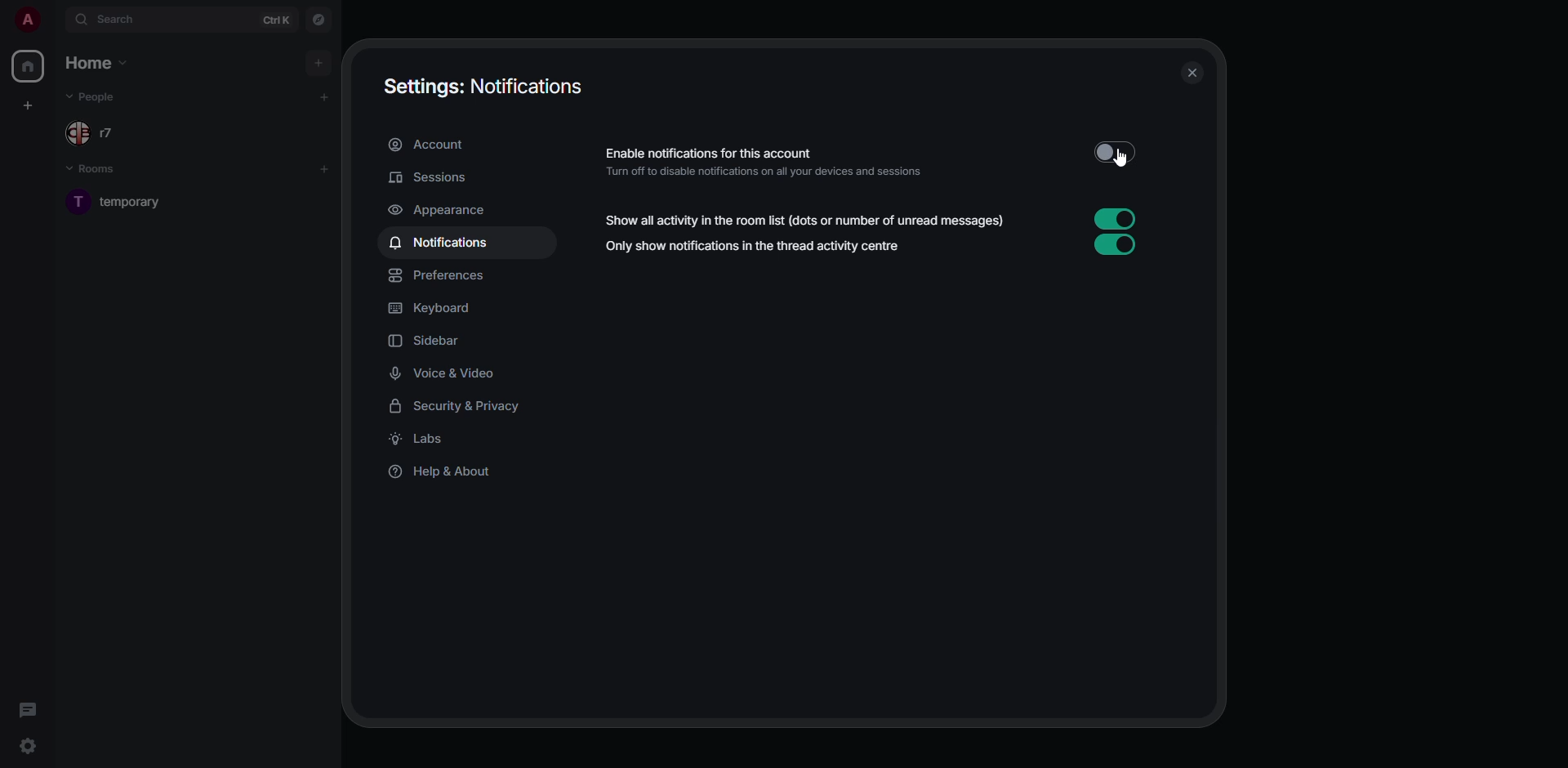 The width and height of the screenshot is (1568, 768). What do you see at coordinates (1112, 151) in the screenshot?
I see `click to enable` at bounding box center [1112, 151].